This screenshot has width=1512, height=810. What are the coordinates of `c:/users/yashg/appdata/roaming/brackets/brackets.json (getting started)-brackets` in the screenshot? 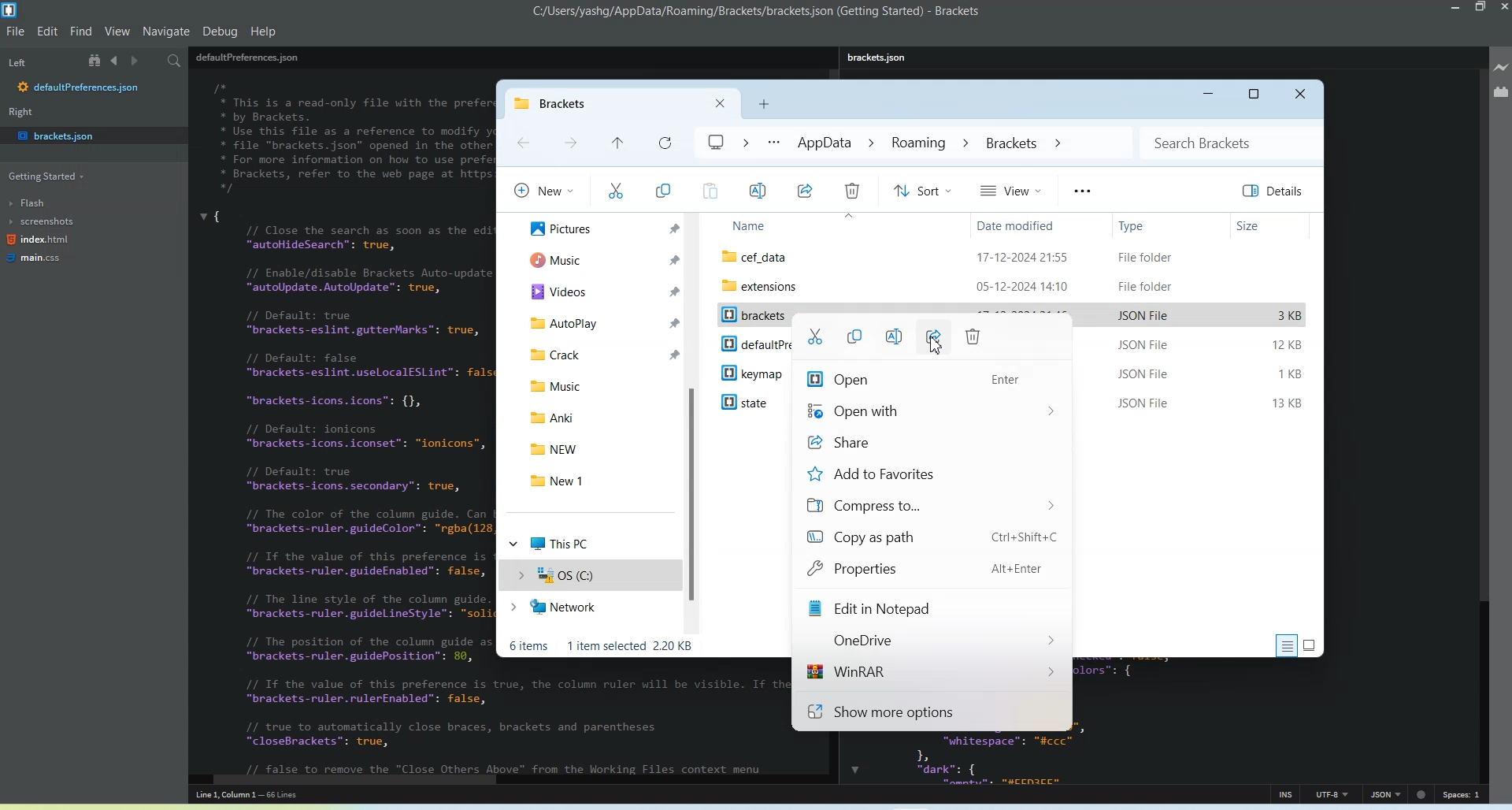 It's located at (757, 12).